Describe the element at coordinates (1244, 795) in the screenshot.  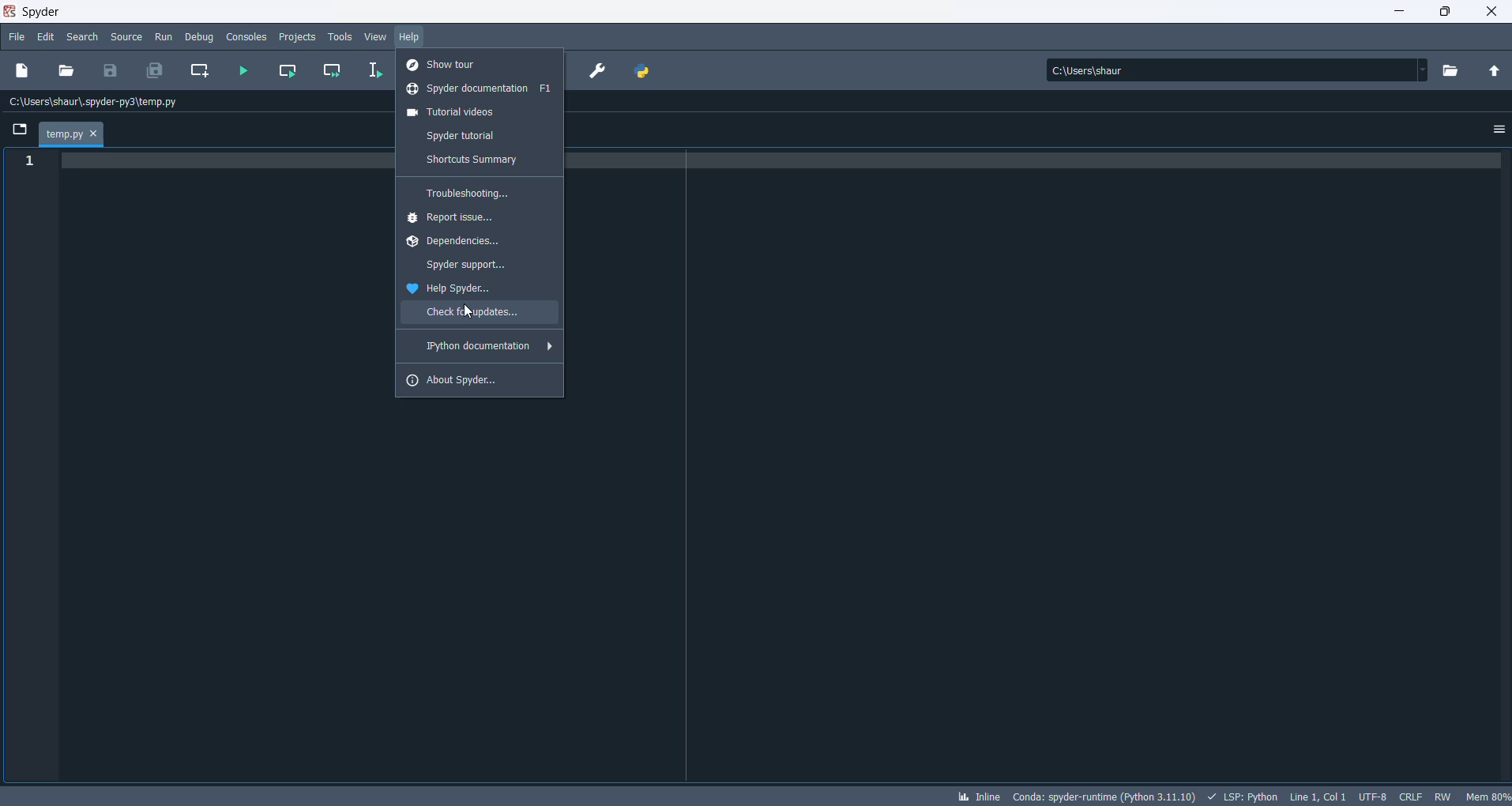
I see `SCRIPT` at that location.